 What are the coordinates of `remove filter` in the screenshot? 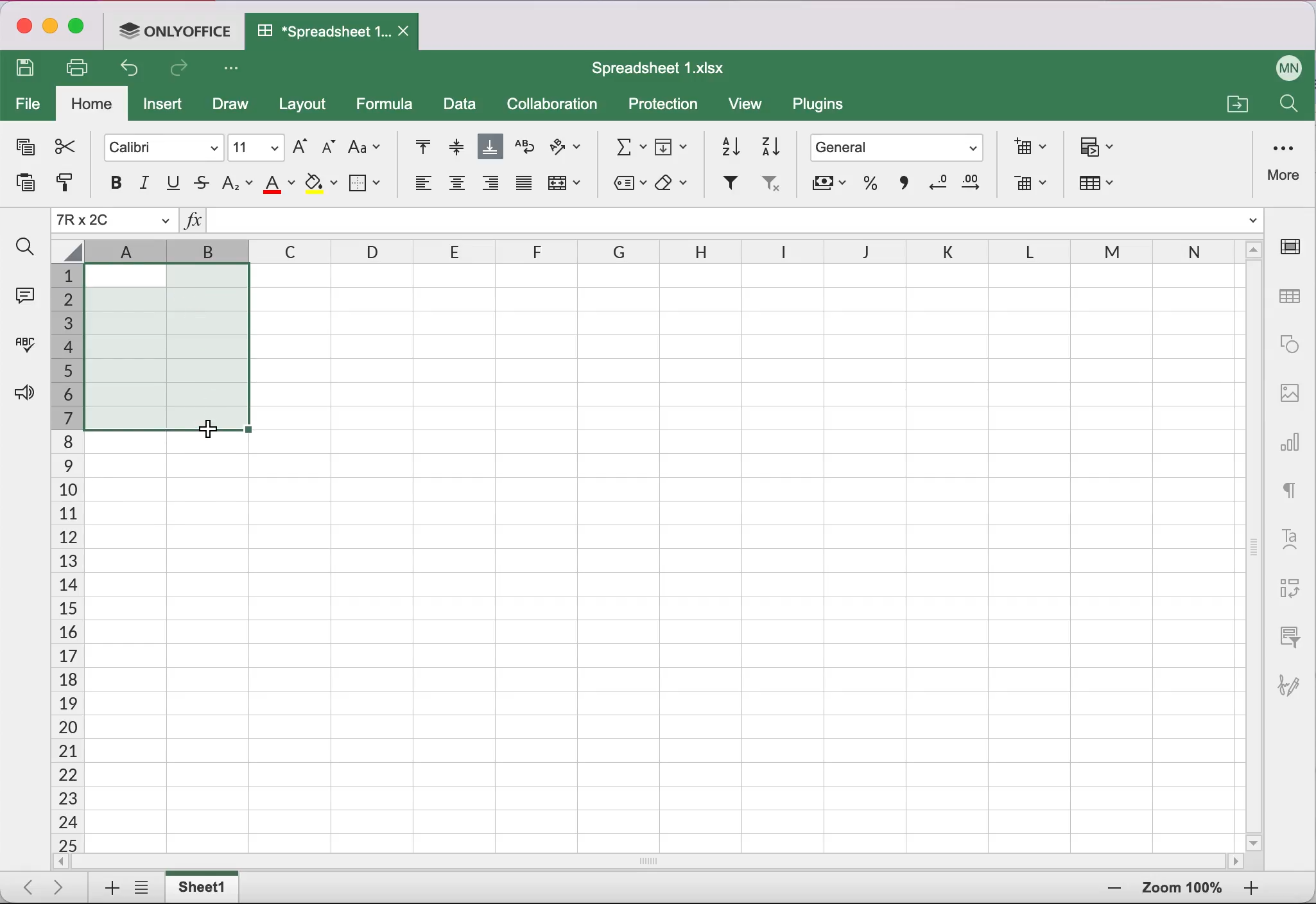 It's located at (770, 187).